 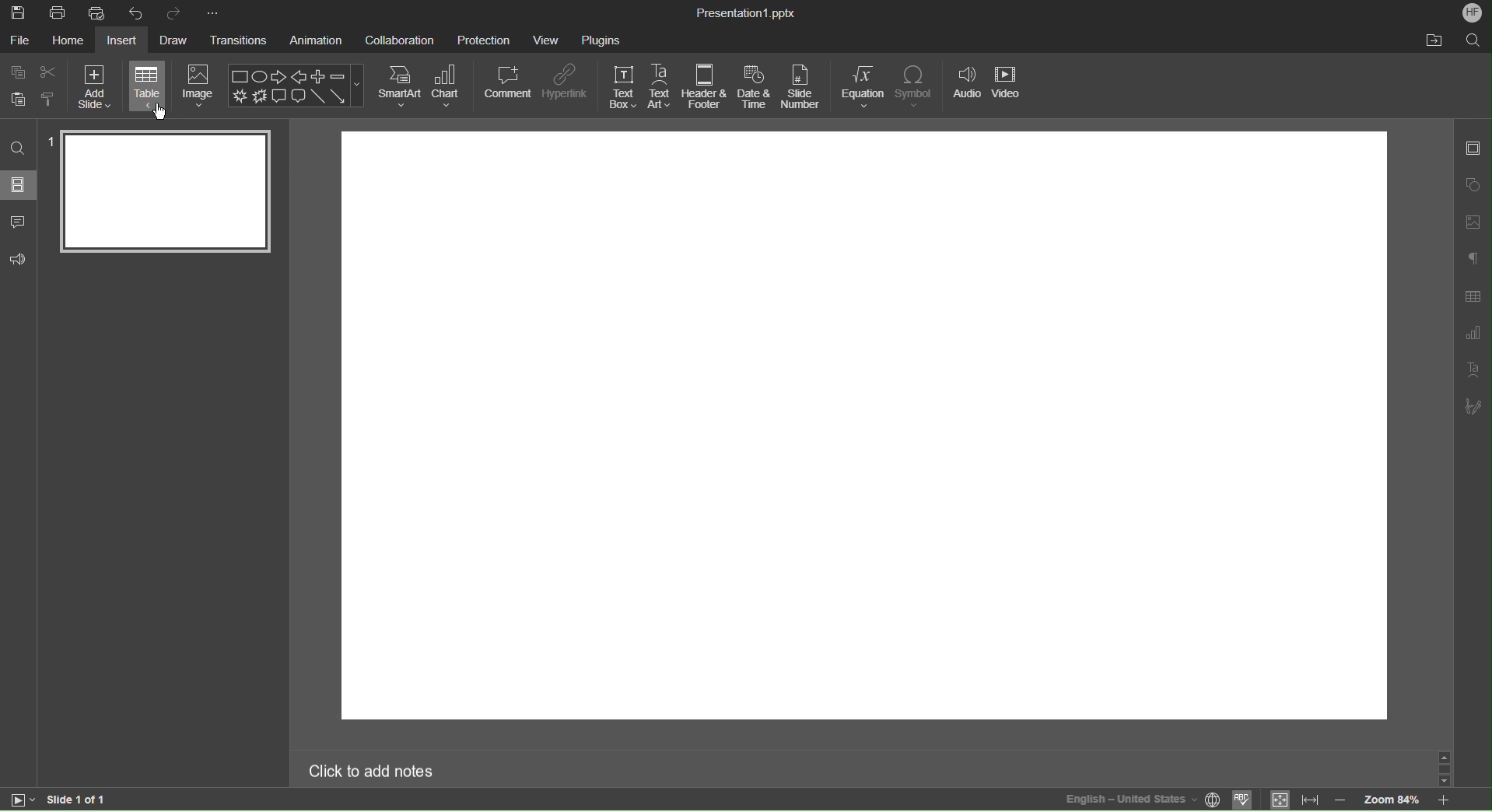 I want to click on Search, so click(x=1475, y=40).